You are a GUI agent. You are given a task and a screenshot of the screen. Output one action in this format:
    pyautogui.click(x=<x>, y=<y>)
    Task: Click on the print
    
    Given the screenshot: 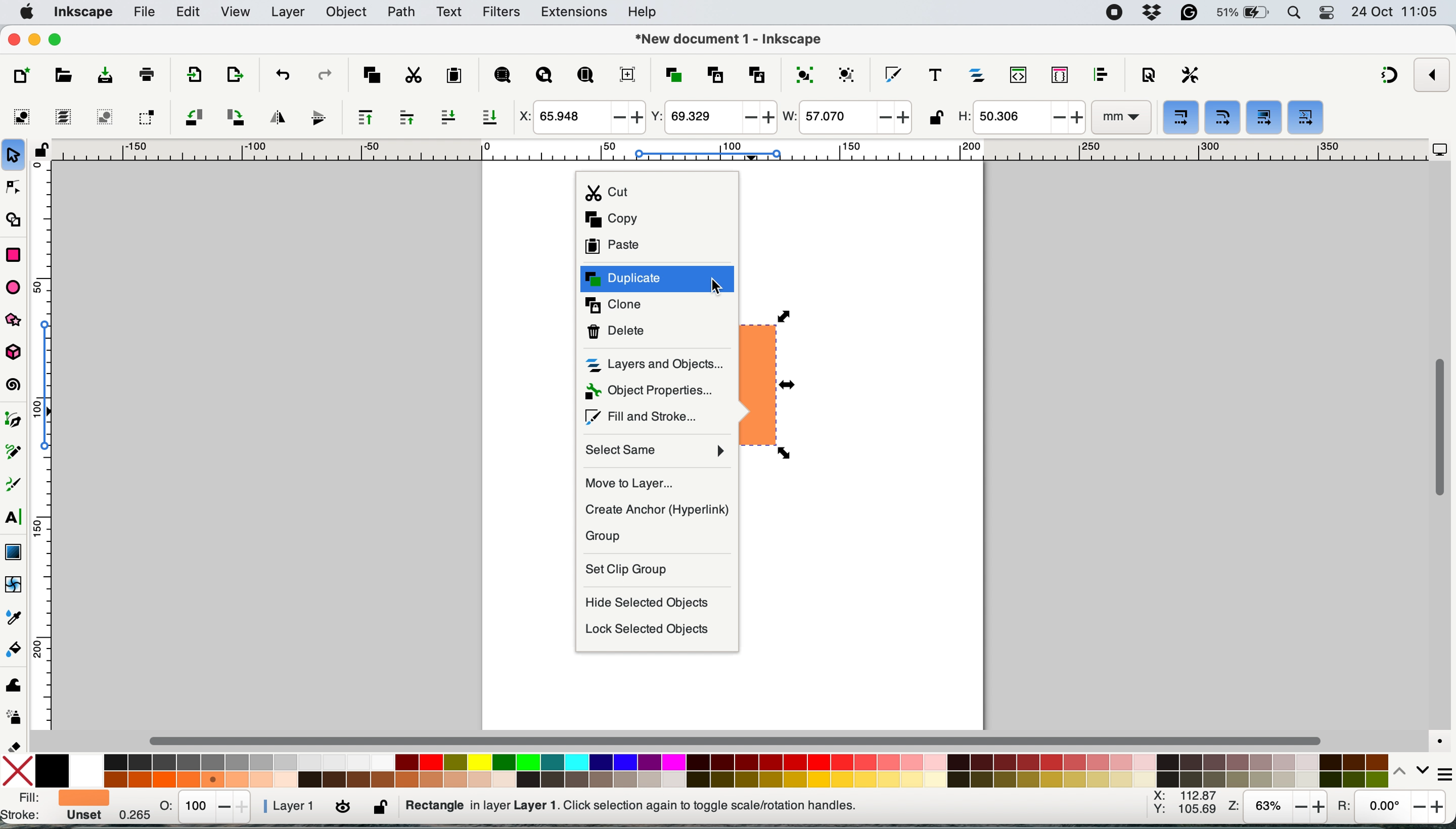 What is the action you would take?
    pyautogui.click(x=147, y=73)
    